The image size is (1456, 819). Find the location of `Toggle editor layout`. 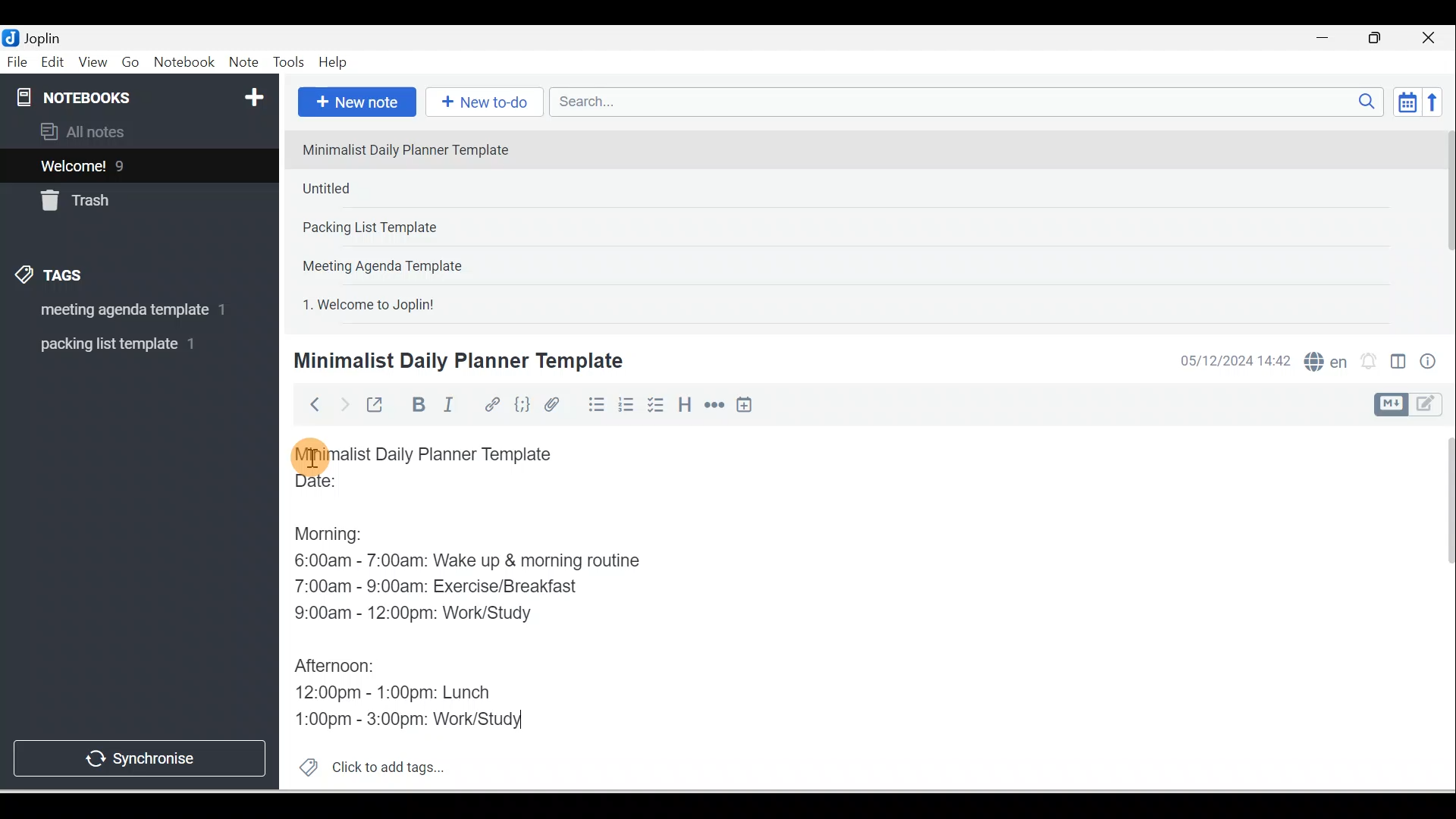

Toggle editor layout is located at coordinates (1414, 405).